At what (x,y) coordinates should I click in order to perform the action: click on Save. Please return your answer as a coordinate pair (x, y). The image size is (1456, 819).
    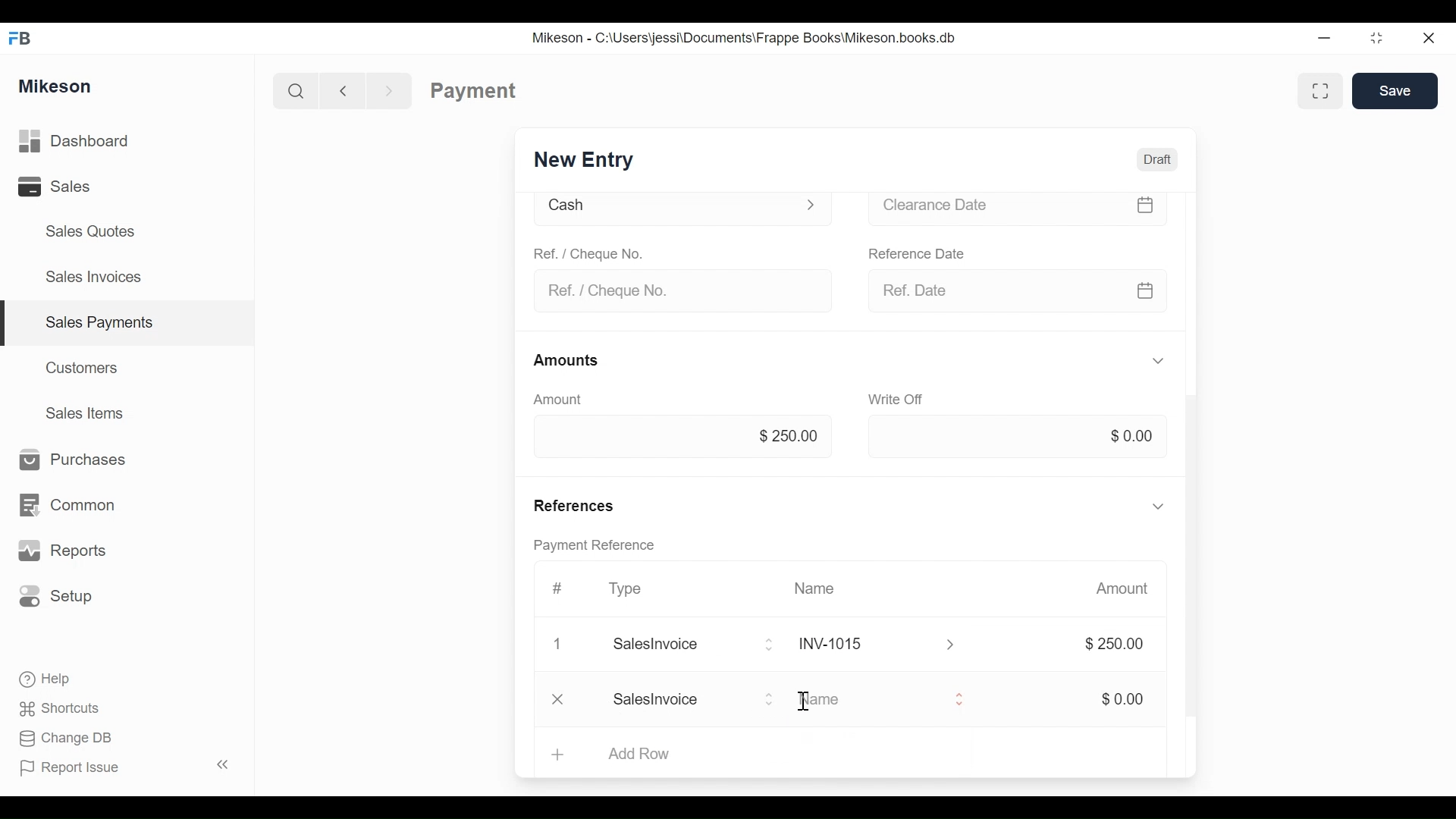
    Looking at the image, I should click on (1398, 92).